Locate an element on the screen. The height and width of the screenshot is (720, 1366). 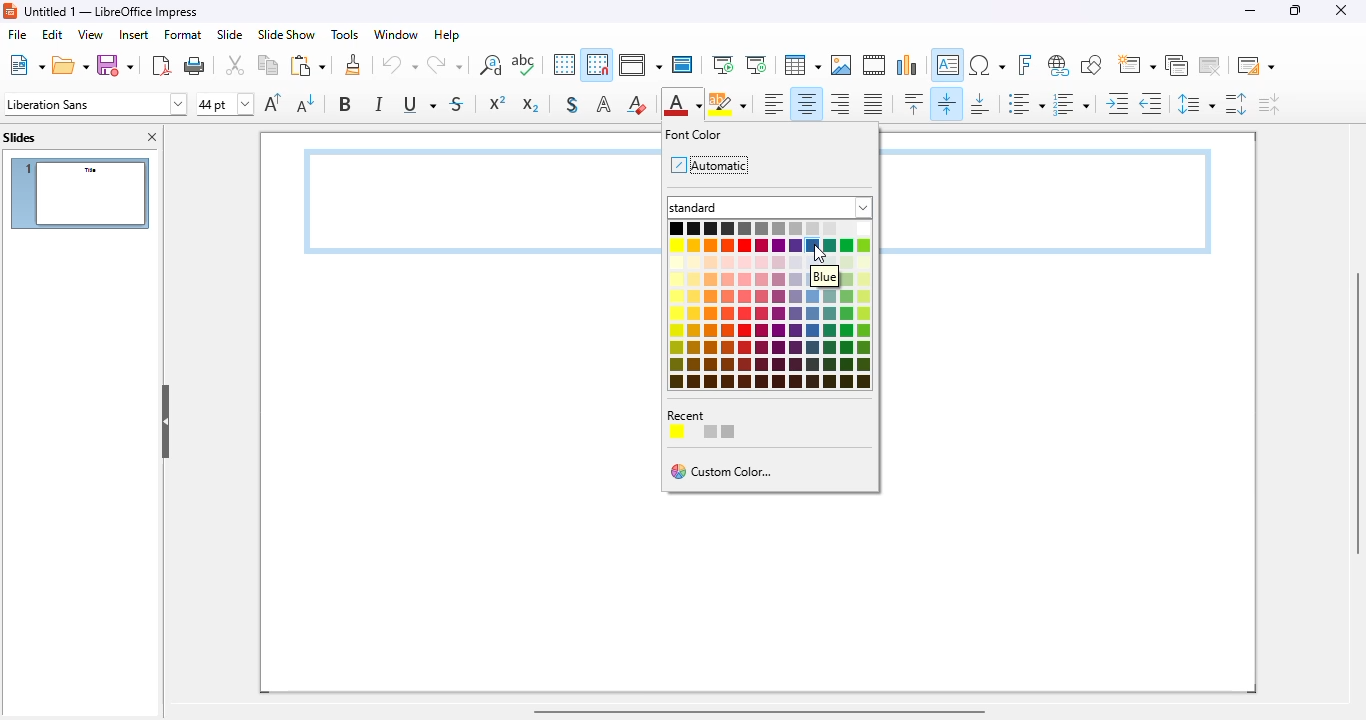
clear direct formatting is located at coordinates (637, 103).